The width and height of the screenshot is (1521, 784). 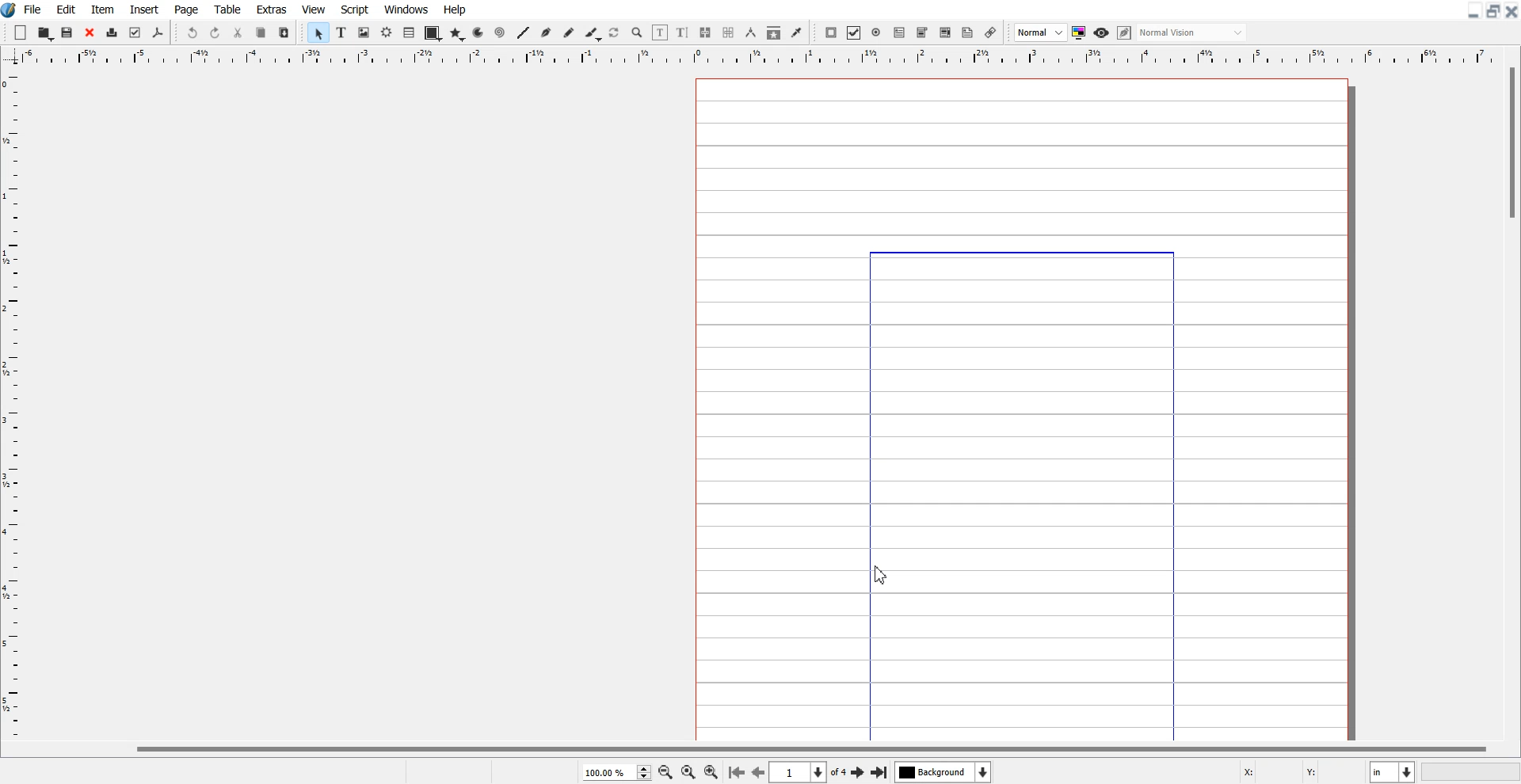 What do you see at coordinates (967, 33) in the screenshot?
I see `Text Annotation` at bounding box center [967, 33].